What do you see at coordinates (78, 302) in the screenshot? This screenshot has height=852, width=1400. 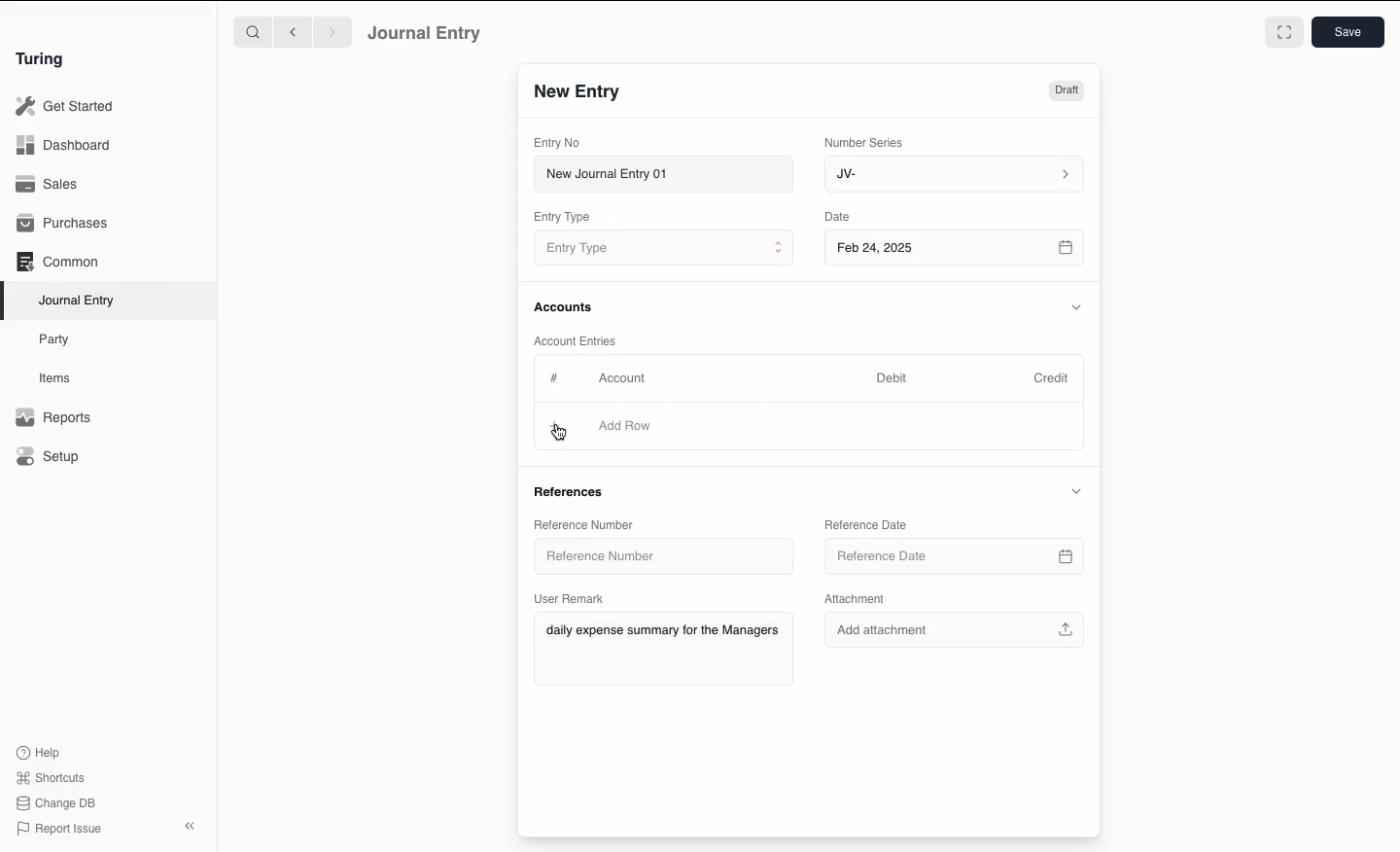 I see `Journal Entry` at bounding box center [78, 302].